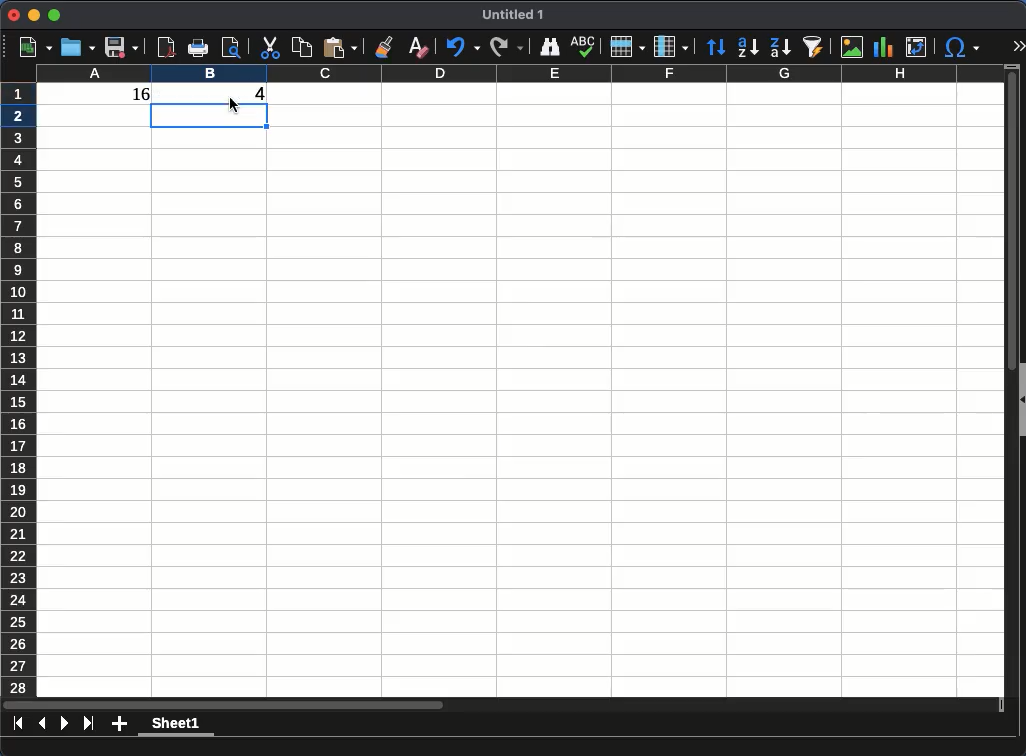  I want to click on descending, so click(780, 48).